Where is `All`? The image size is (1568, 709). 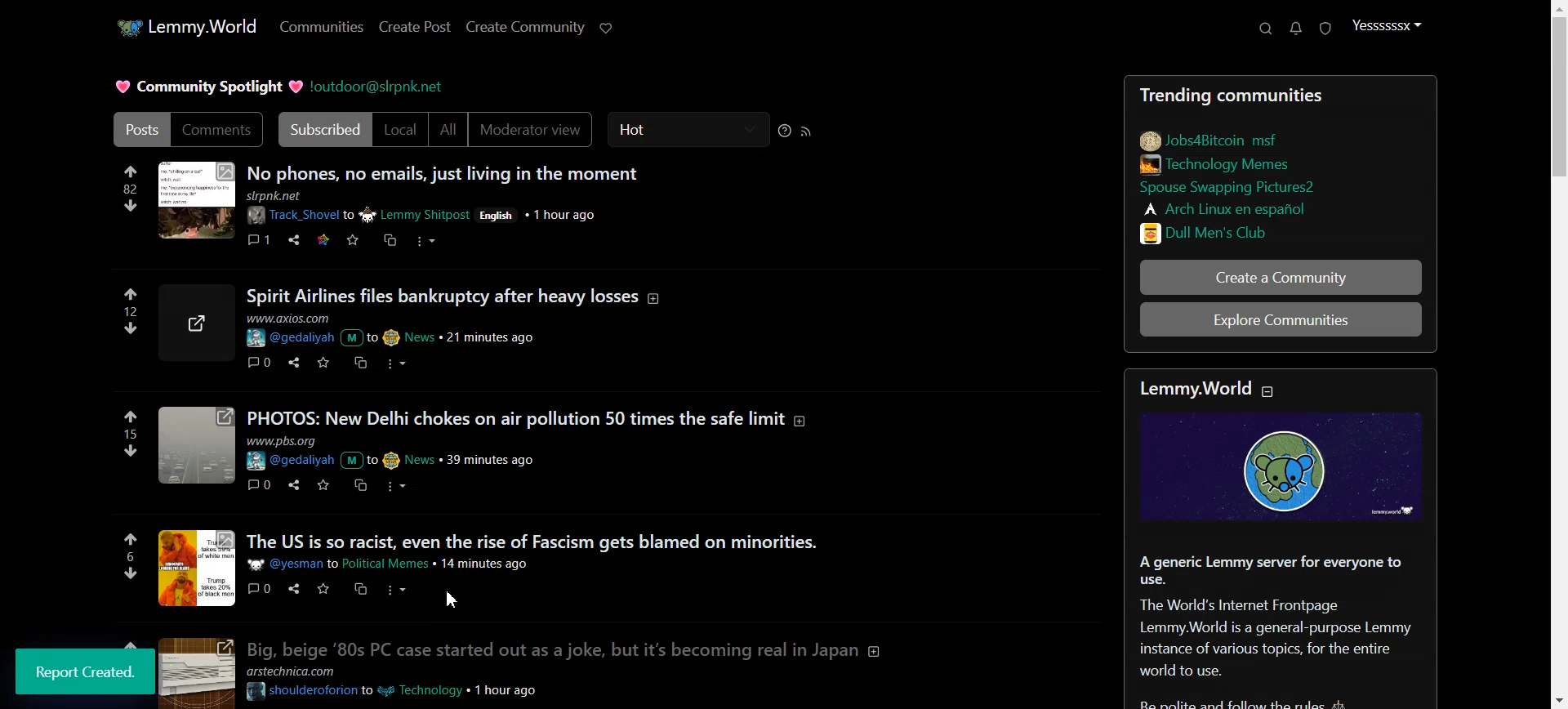 All is located at coordinates (448, 130).